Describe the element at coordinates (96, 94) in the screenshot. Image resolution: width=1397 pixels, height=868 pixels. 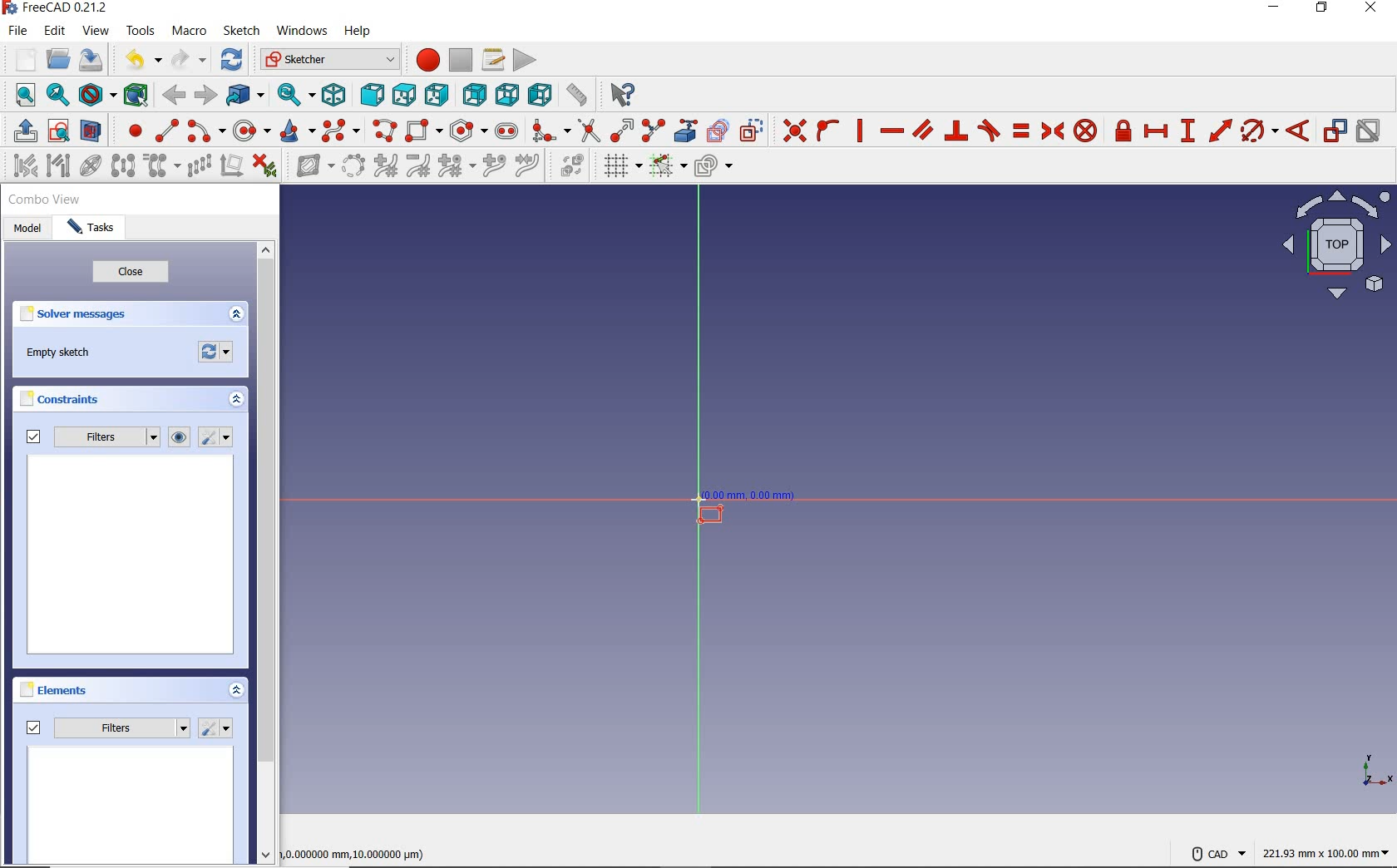
I see `draw style` at that location.